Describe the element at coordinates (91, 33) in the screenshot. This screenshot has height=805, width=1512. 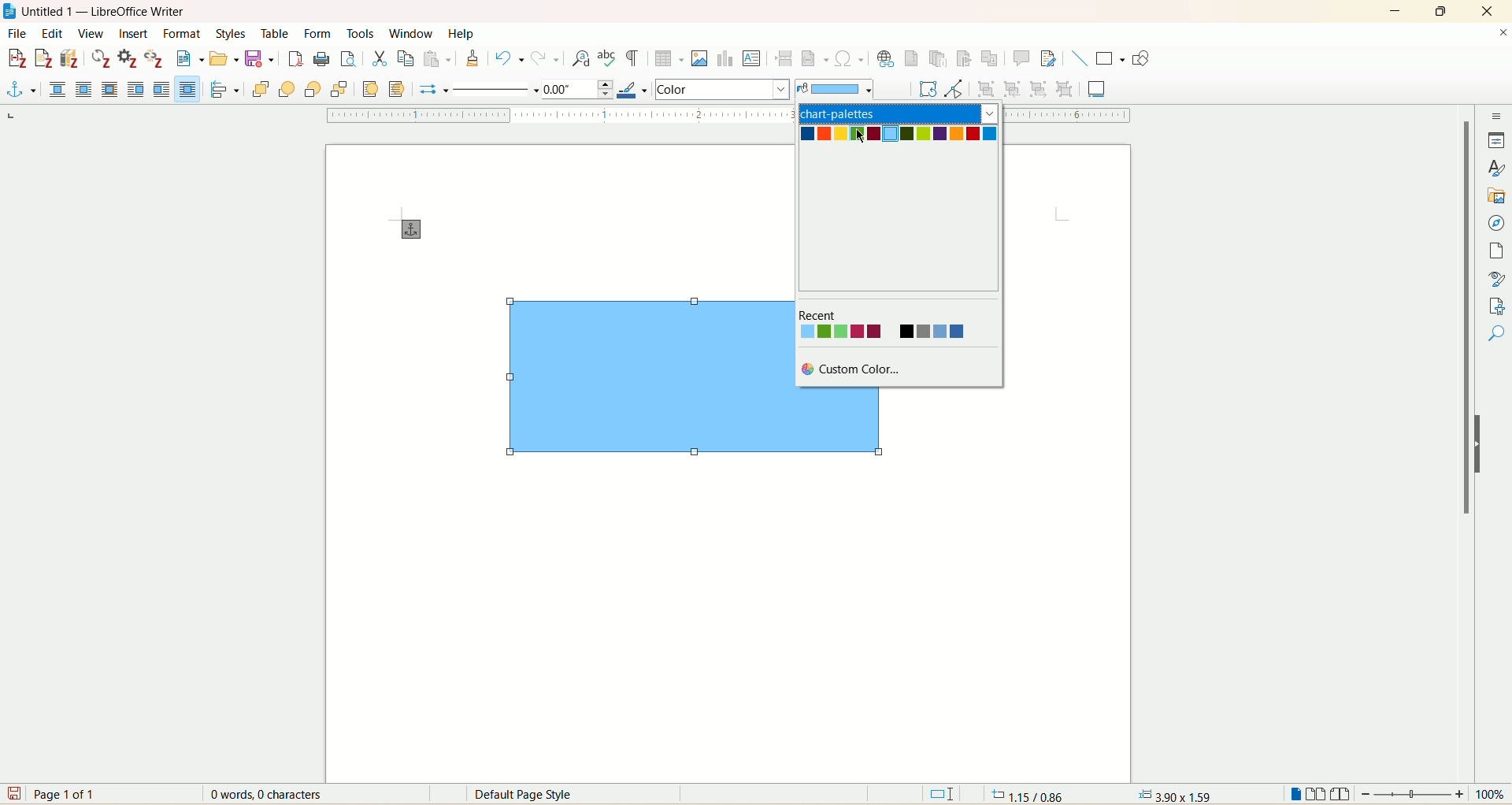
I see `view` at that location.